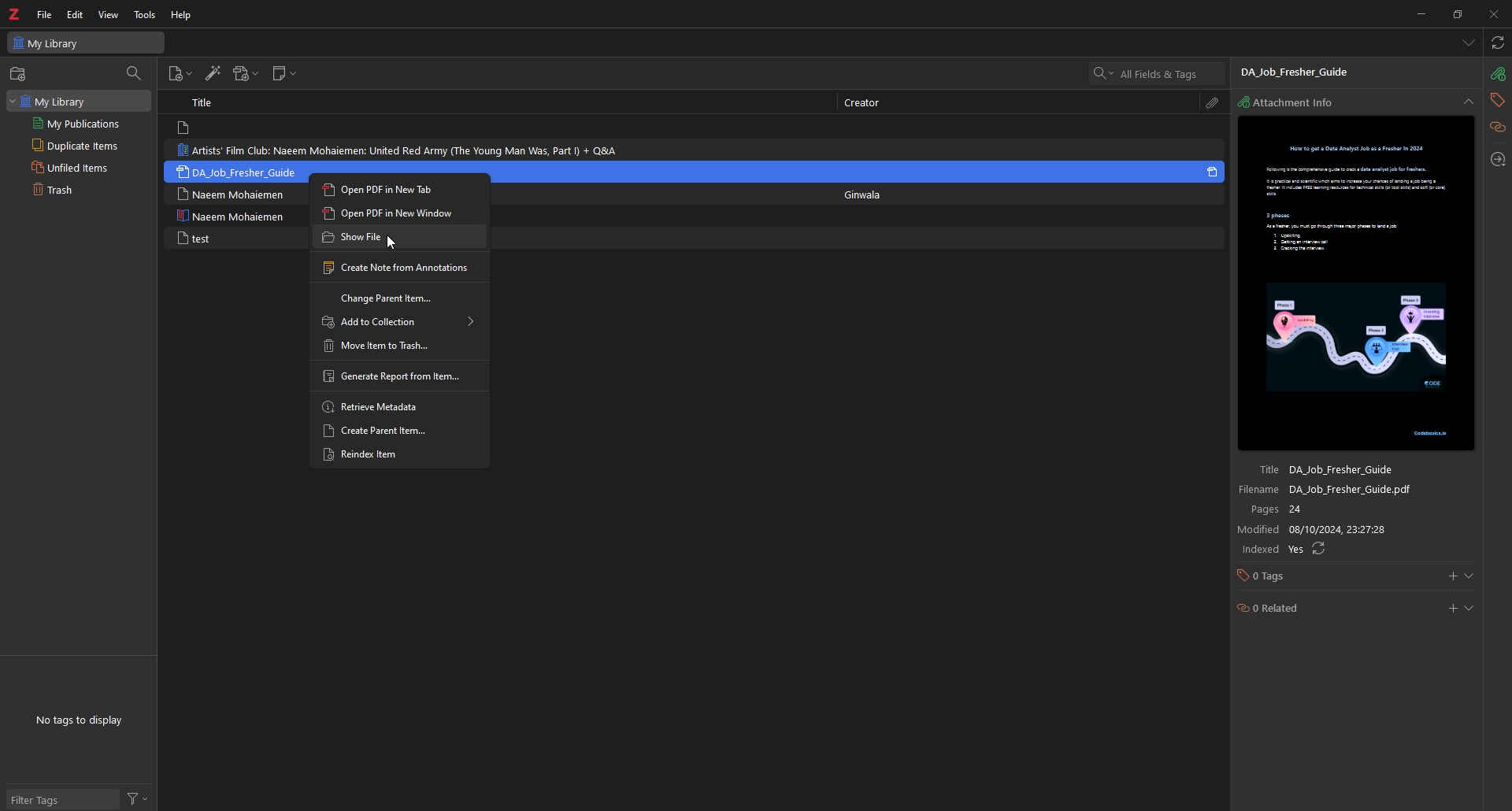  Describe the element at coordinates (1358, 283) in the screenshot. I see `file preview` at that location.